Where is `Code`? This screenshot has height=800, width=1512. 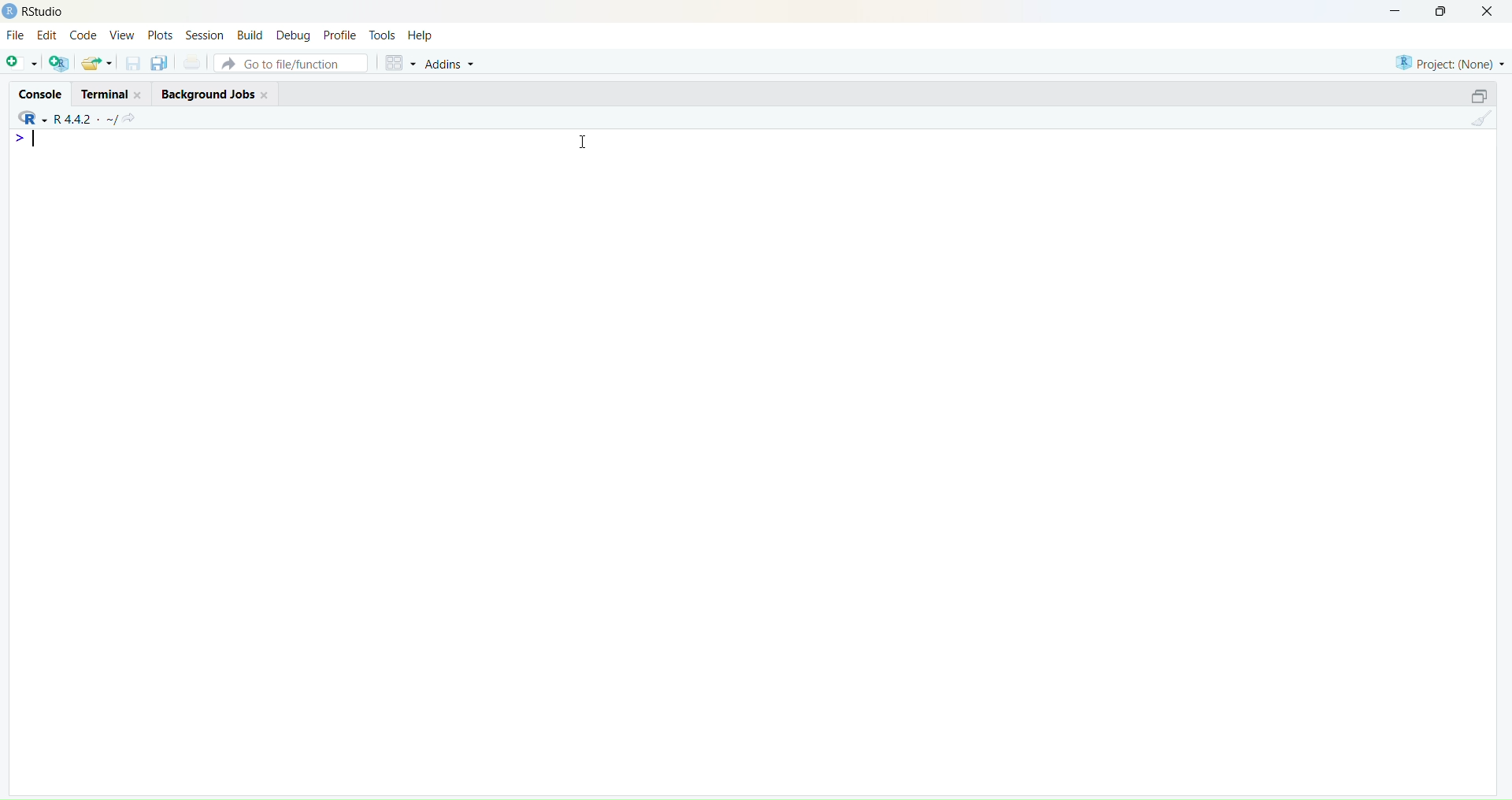
Code is located at coordinates (83, 35).